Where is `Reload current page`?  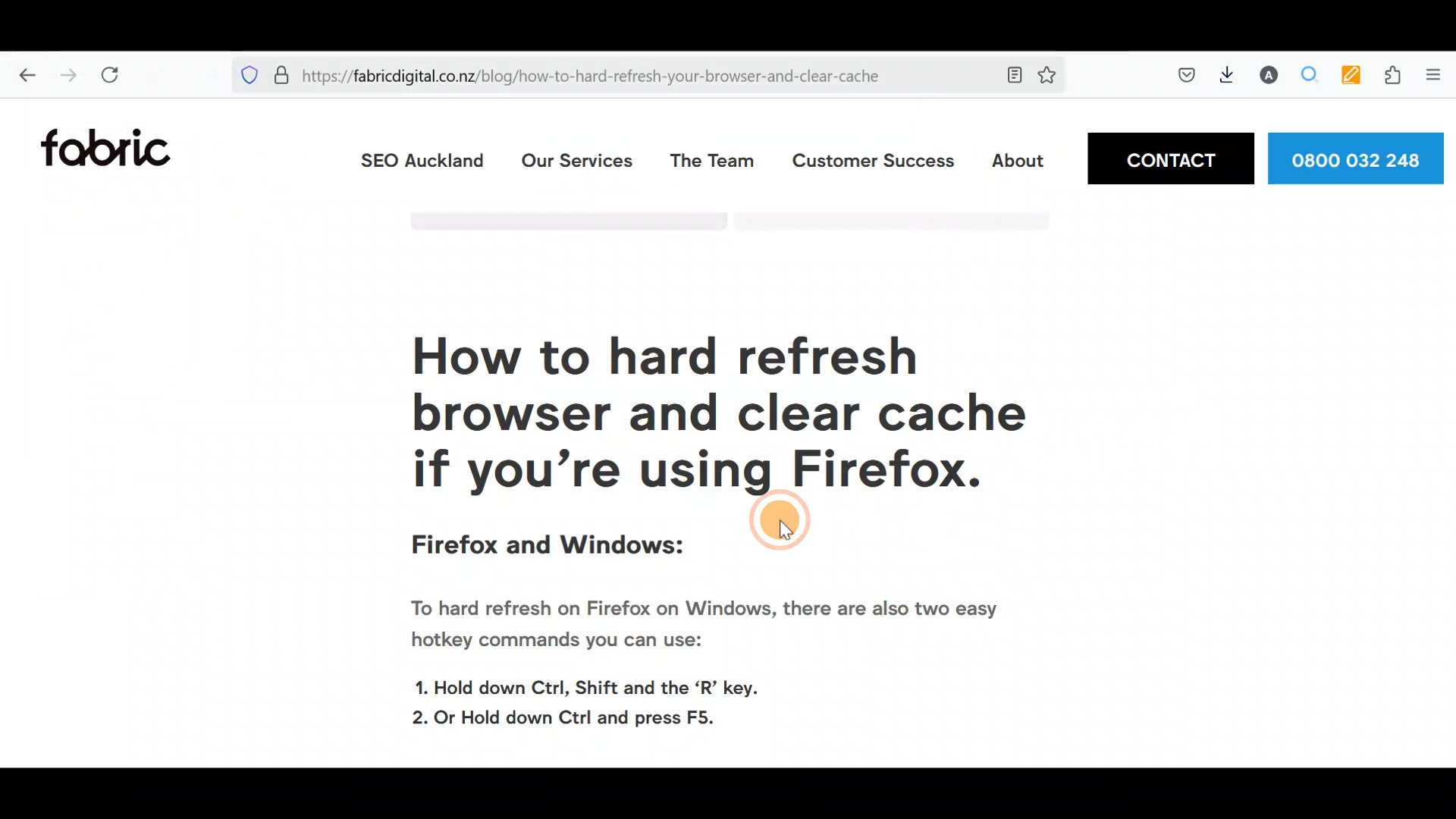
Reload current page is located at coordinates (115, 75).